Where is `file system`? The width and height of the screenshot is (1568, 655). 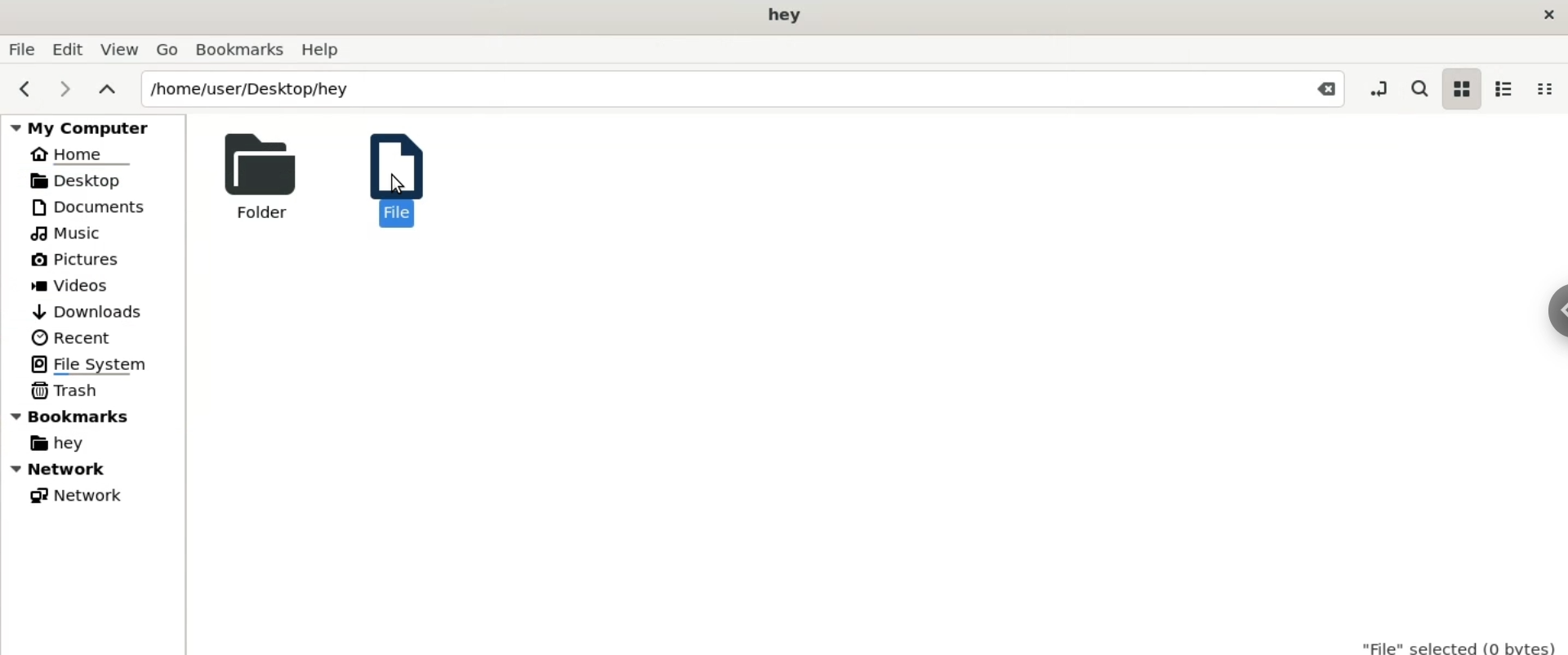 file system is located at coordinates (95, 365).